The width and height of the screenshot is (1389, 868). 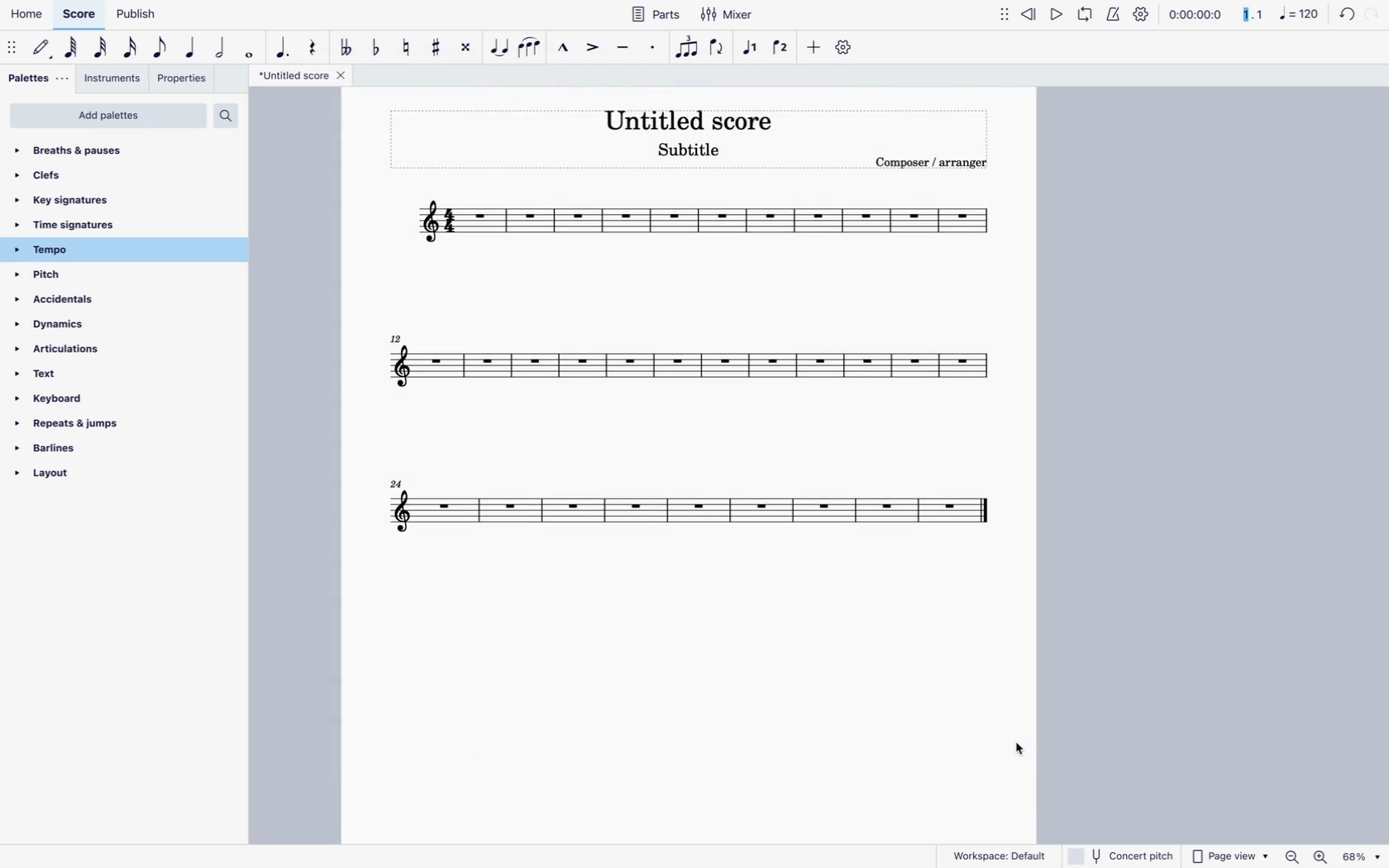 What do you see at coordinates (698, 218) in the screenshot?
I see `new score` at bounding box center [698, 218].